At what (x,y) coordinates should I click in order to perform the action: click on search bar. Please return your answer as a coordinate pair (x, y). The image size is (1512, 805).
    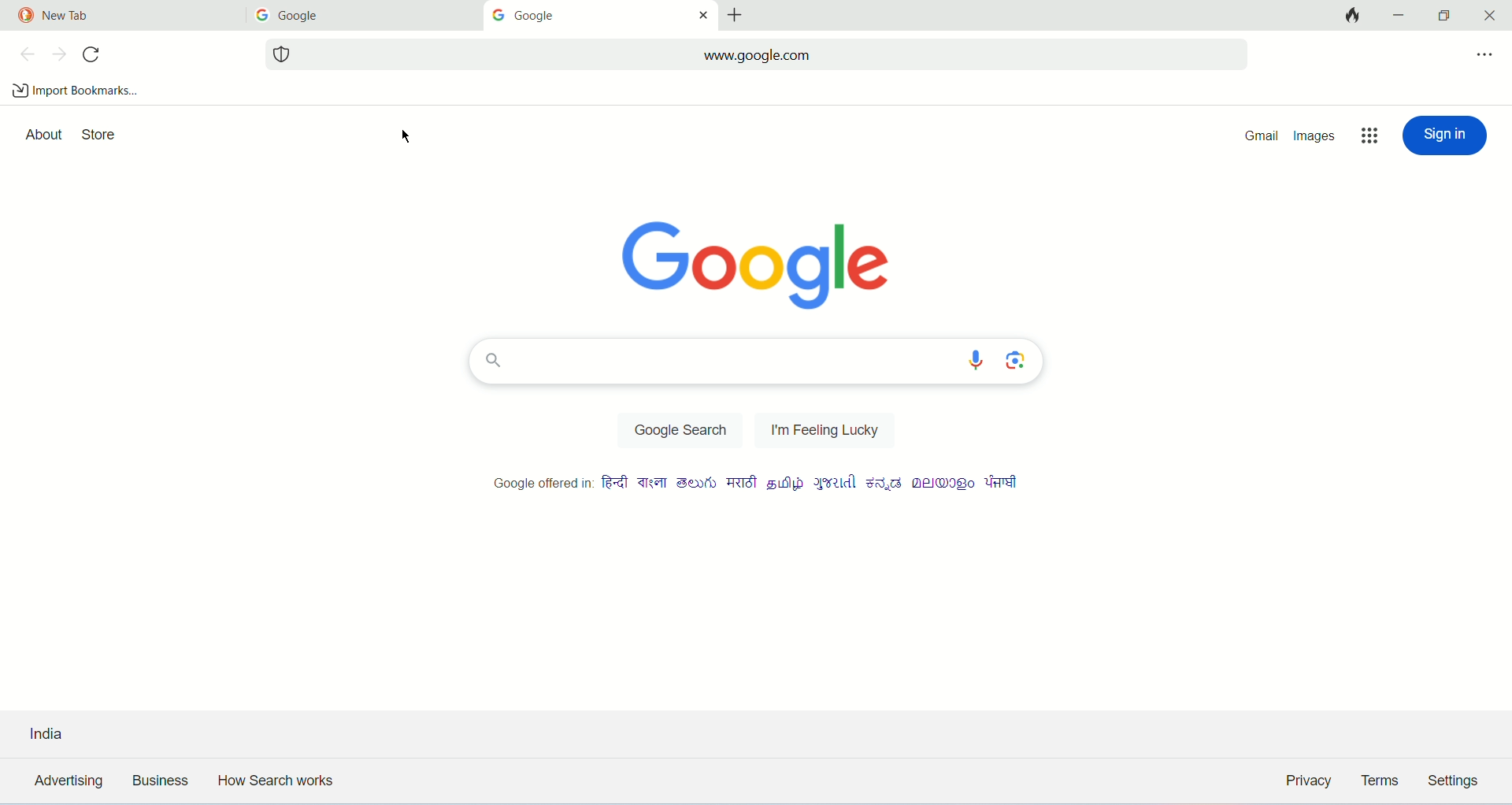
    Looking at the image, I should click on (705, 362).